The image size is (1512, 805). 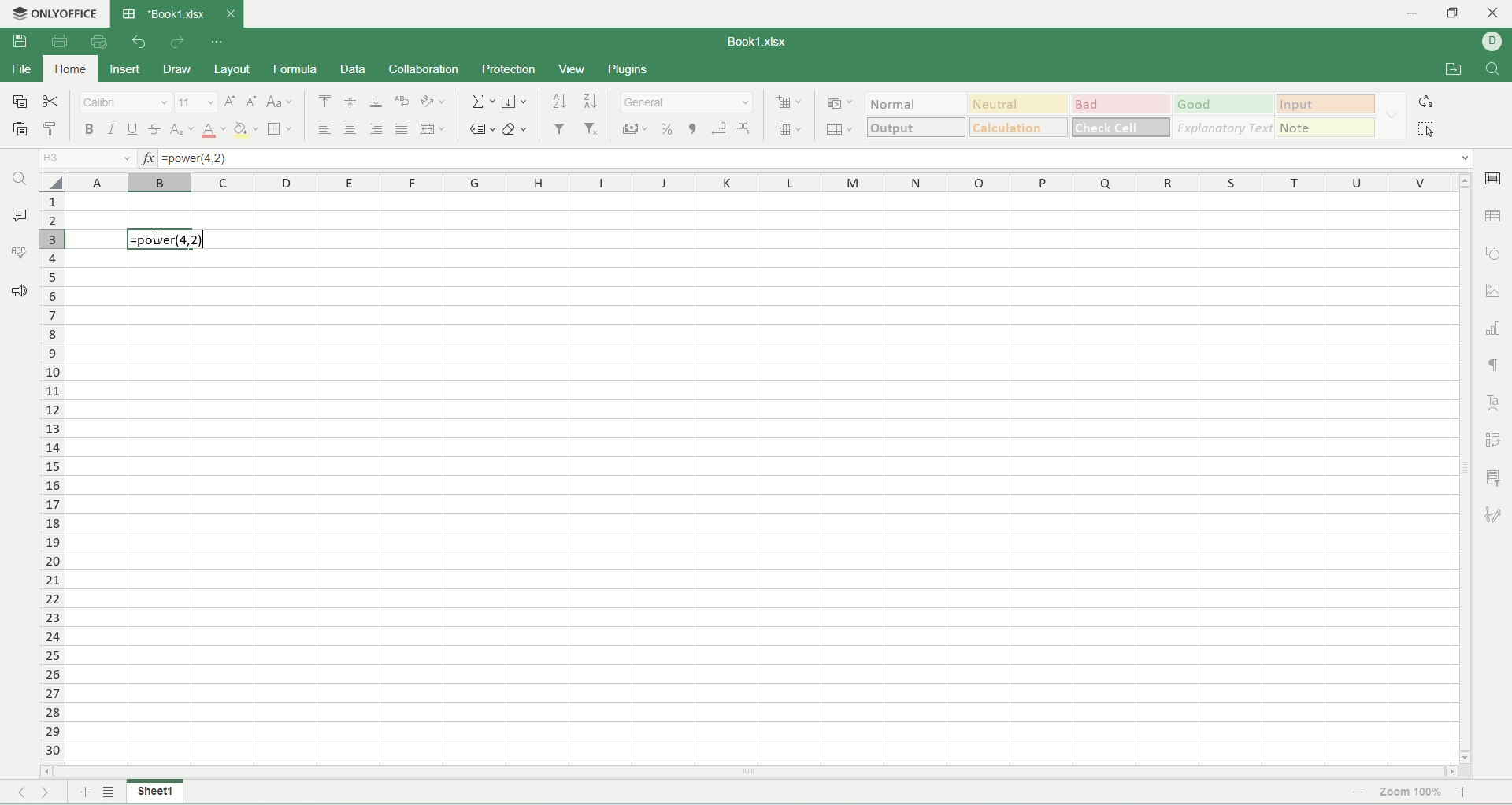 What do you see at coordinates (1329, 129) in the screenshot?
I see `note` at bounding box center [1329, 129].